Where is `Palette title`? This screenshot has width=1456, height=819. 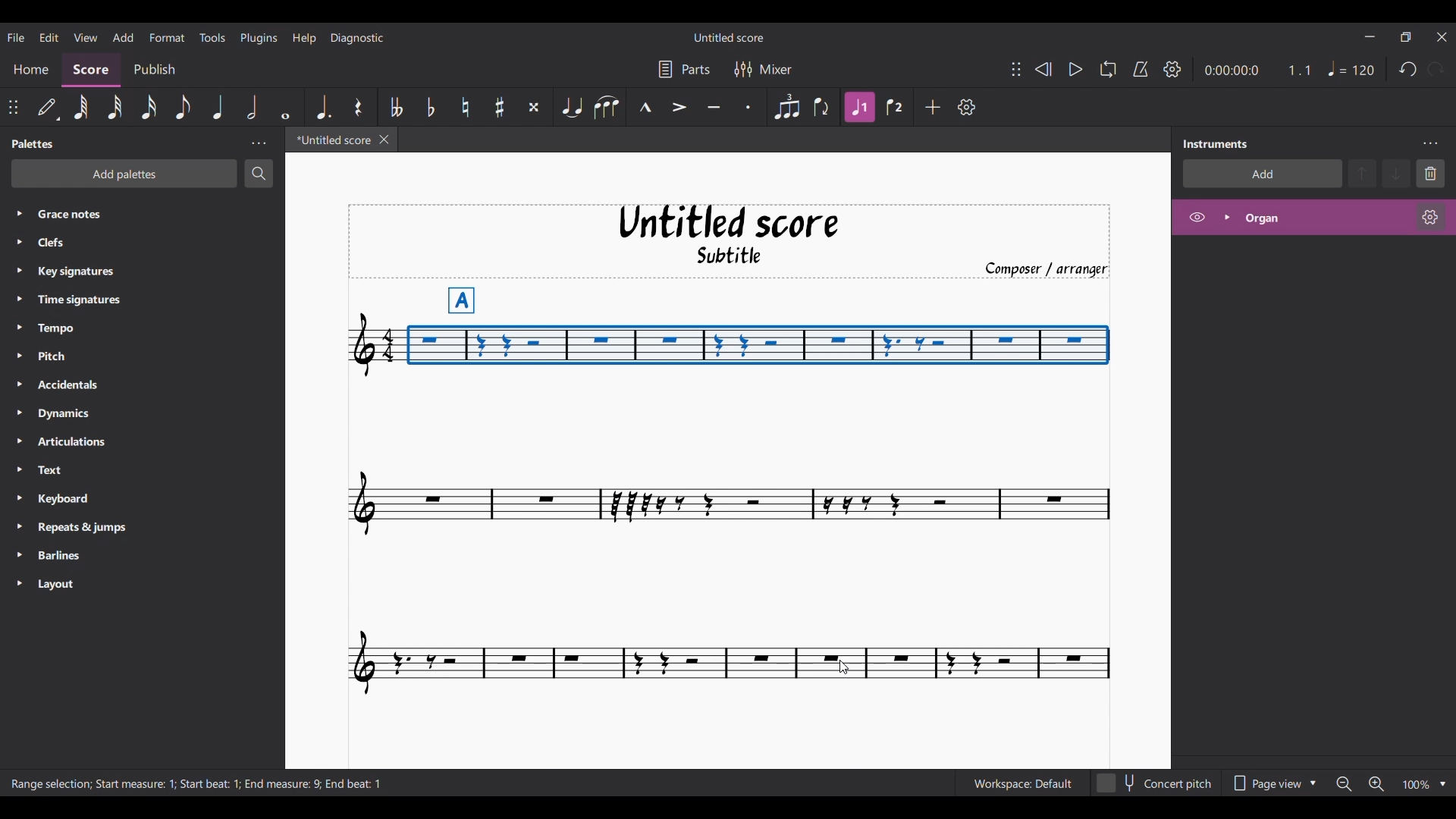 Palette title is located at coordinates (34, 144).